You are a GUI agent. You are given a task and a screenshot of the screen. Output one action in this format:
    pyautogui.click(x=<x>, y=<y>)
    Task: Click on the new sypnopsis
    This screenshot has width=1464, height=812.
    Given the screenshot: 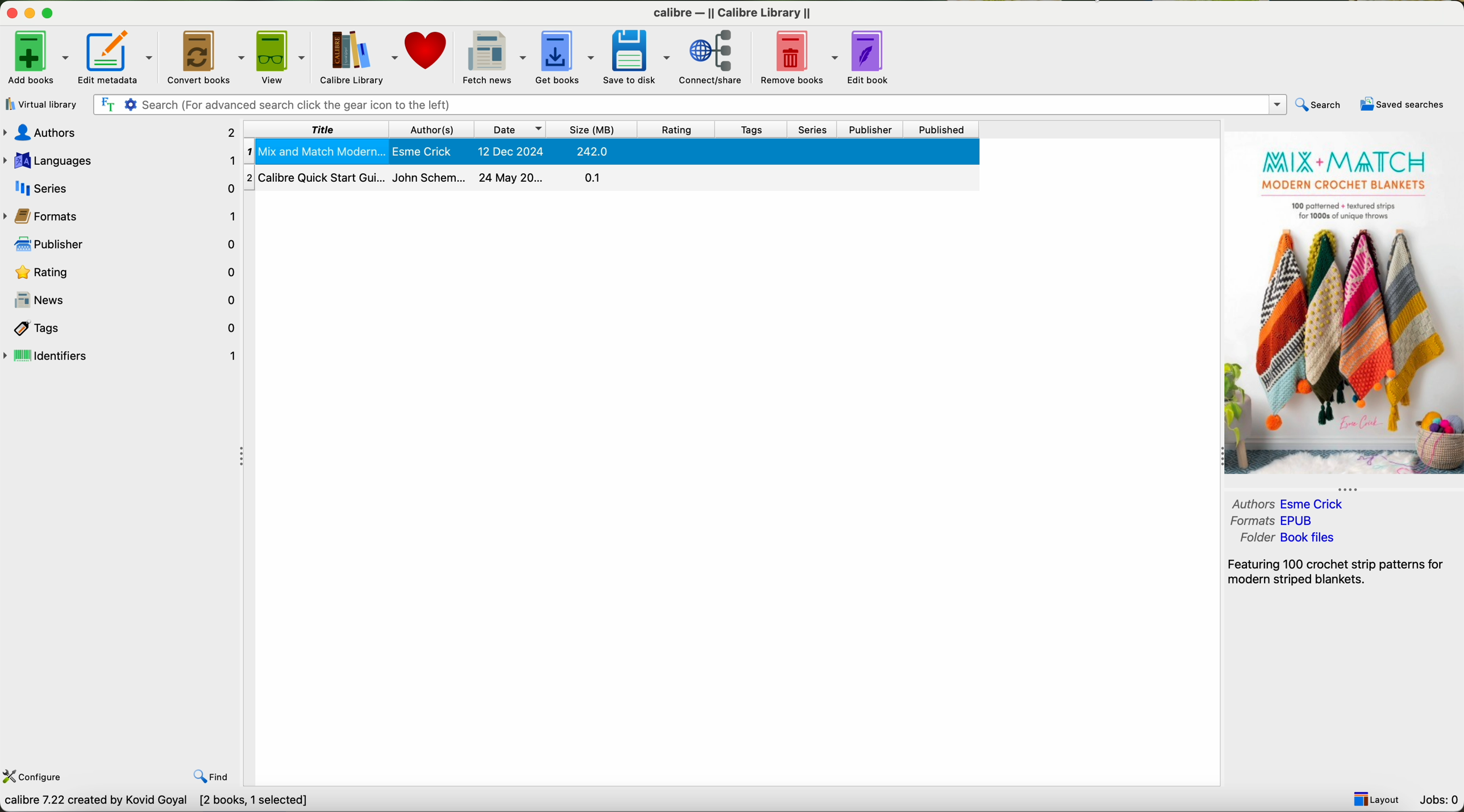 What is the action you would take?
    pyautogui.click(x=1340, y=570)
    